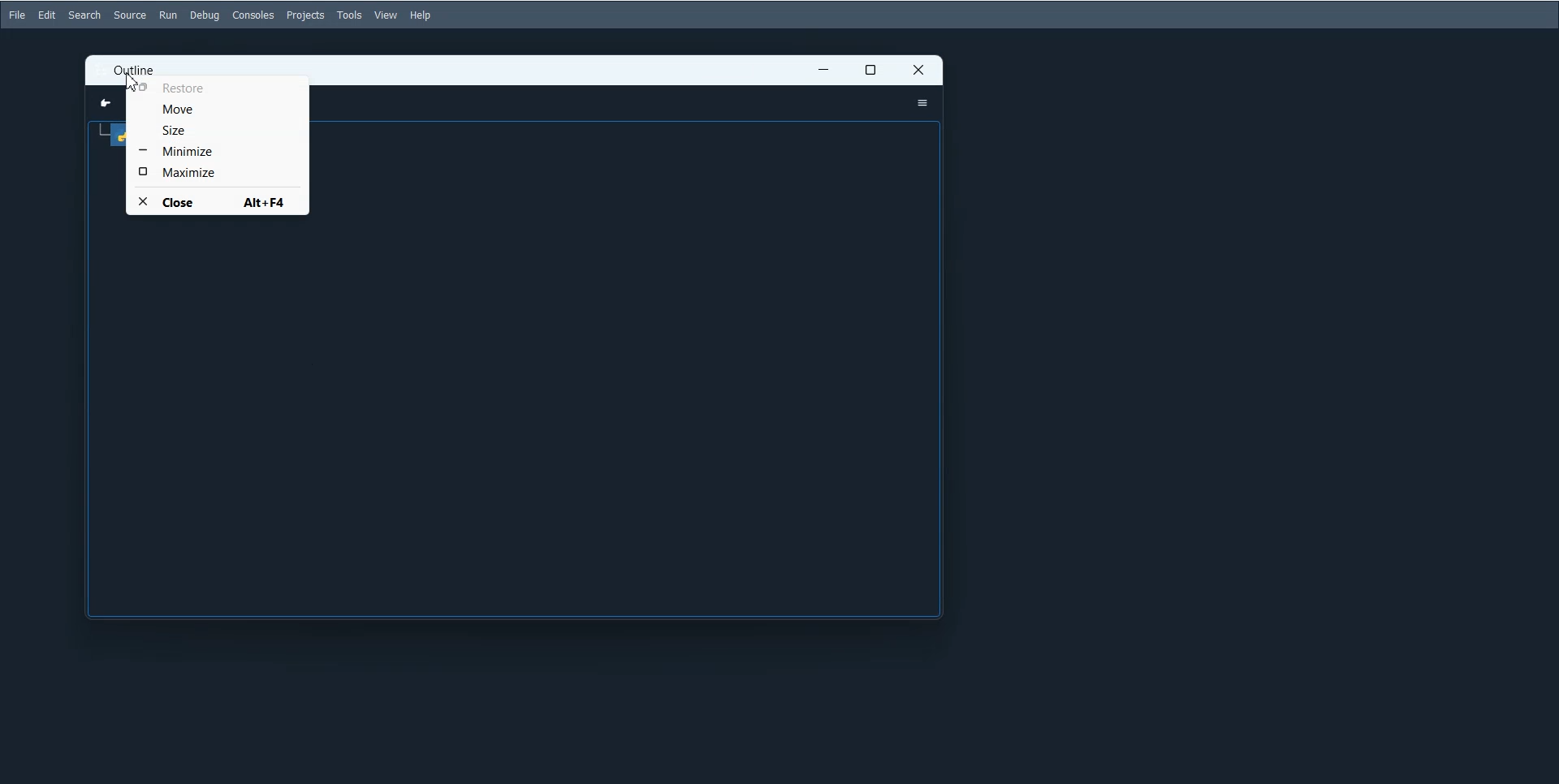 This screenshot has width=1559, height=784. What do you see at coordinates (349, 15) in the screenshot?
I see `Tools` at bounding box center [349, 15].